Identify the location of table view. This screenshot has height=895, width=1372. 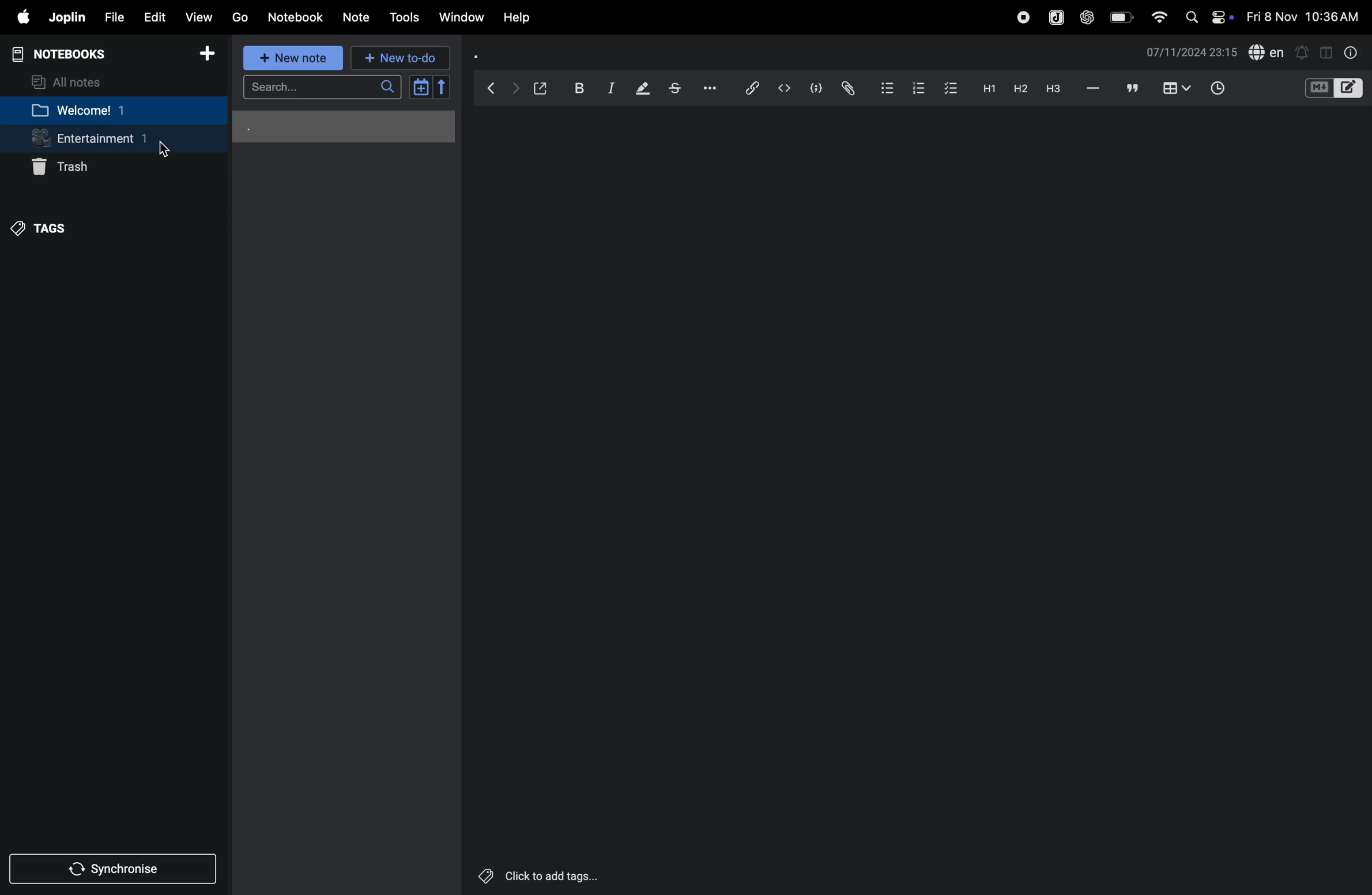
(1173, 89).